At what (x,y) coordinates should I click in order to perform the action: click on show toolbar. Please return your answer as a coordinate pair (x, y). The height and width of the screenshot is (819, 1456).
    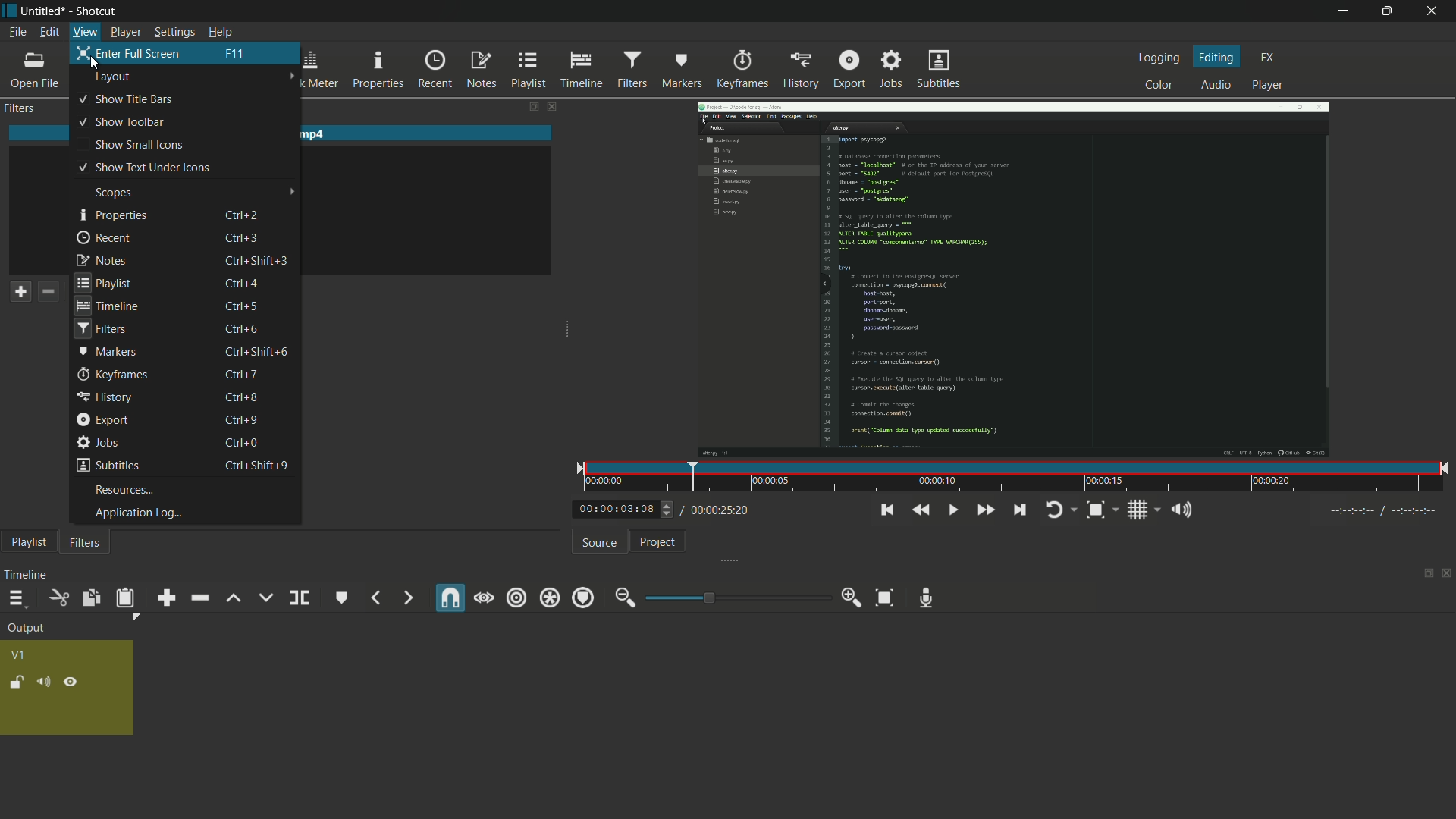
    Looking at the image, I should click on (121, 122).